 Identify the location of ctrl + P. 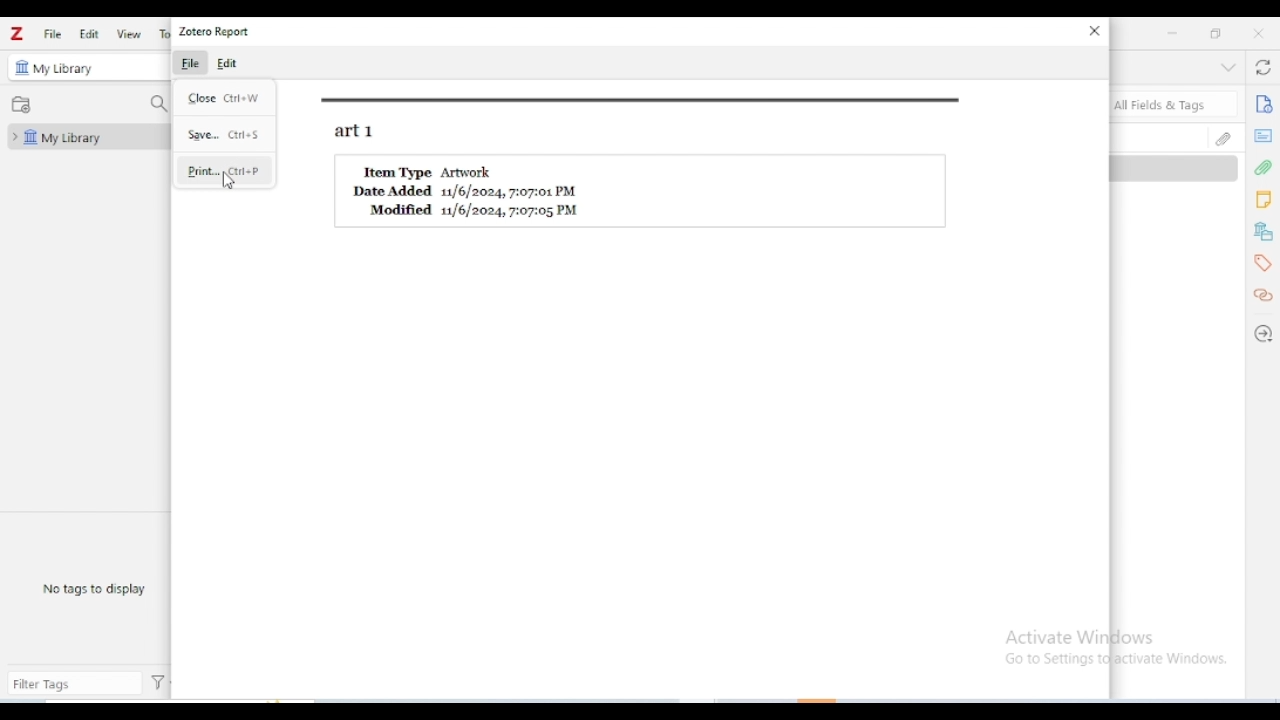
(245, 170).